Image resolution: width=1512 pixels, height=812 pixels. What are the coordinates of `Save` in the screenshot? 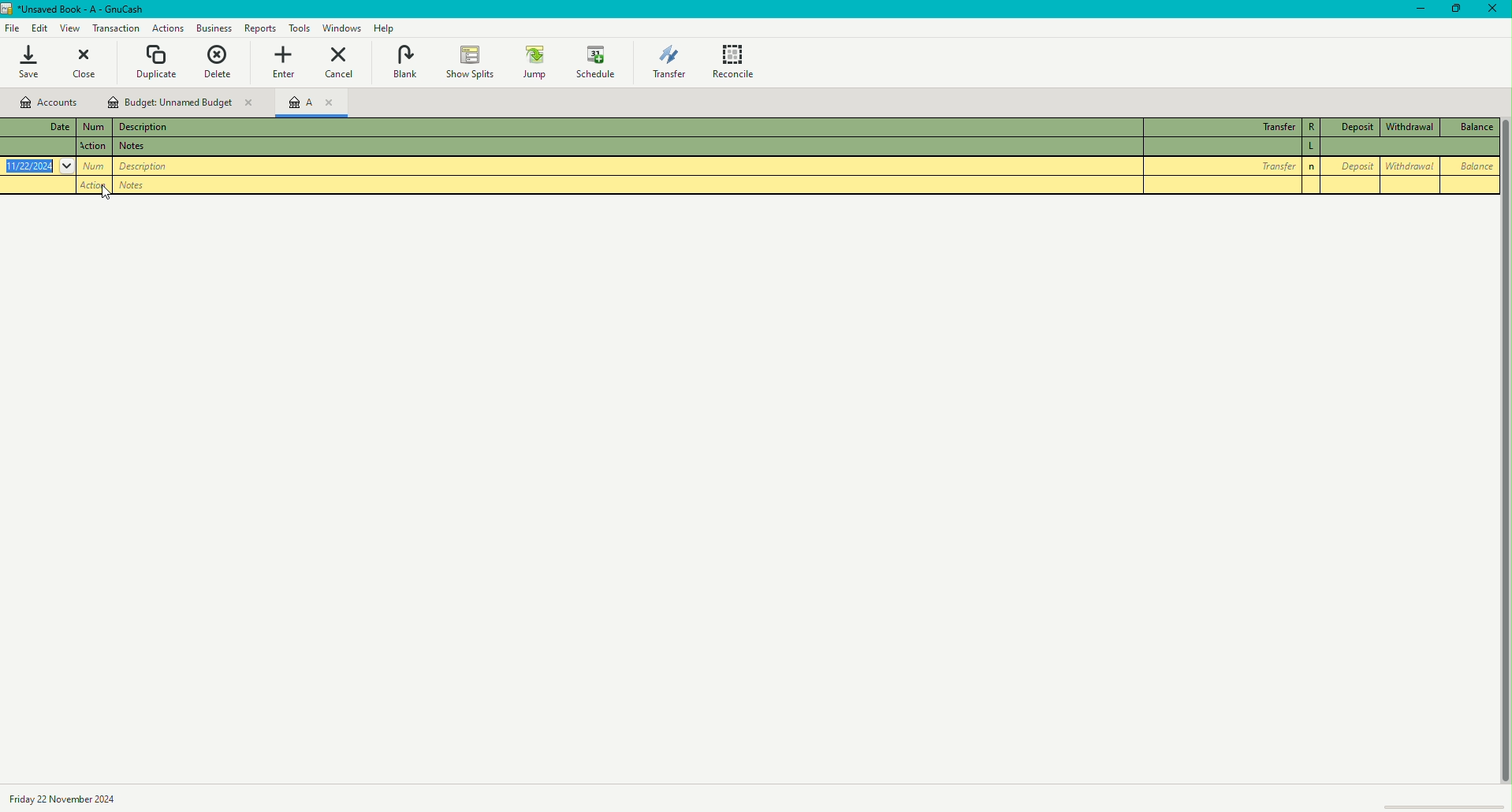 It's located at (38, 65).